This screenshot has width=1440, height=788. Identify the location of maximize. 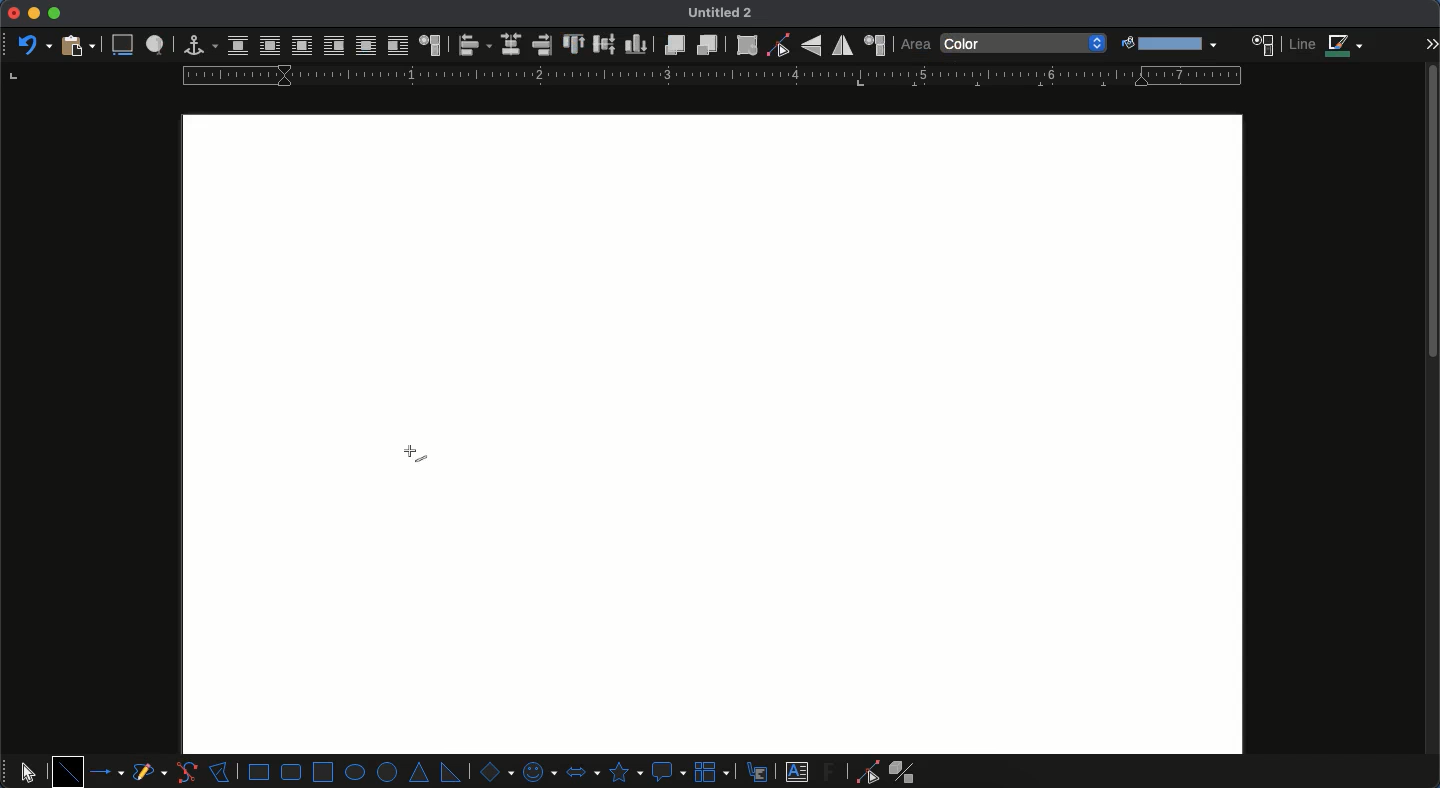
(54, 14).